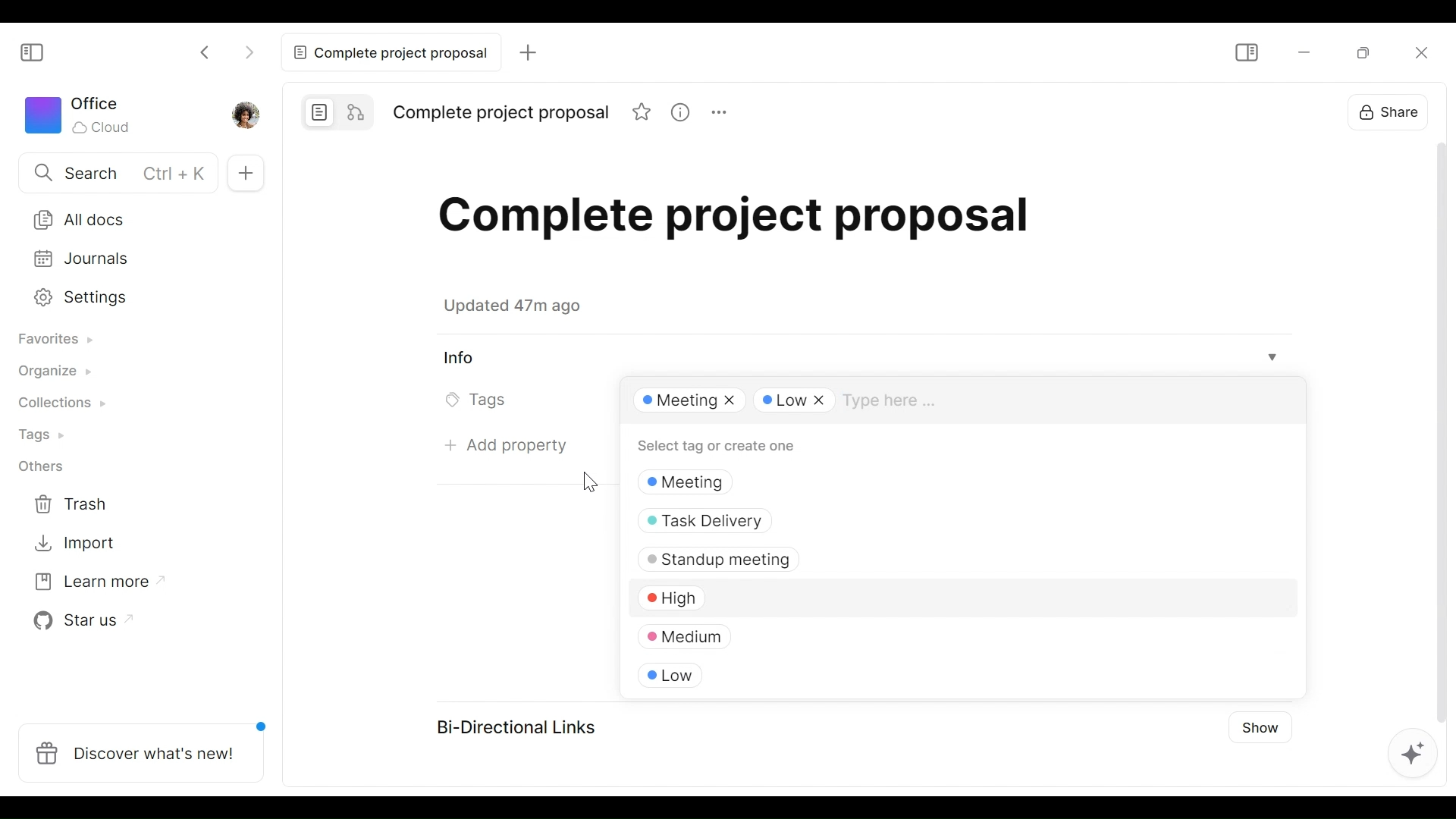 The width and height of the screenshot is (1456, 819). What do you see at coordinates (1367, 52) in the screenshot?
I see `Restore` at bounding box center [1367, 52].